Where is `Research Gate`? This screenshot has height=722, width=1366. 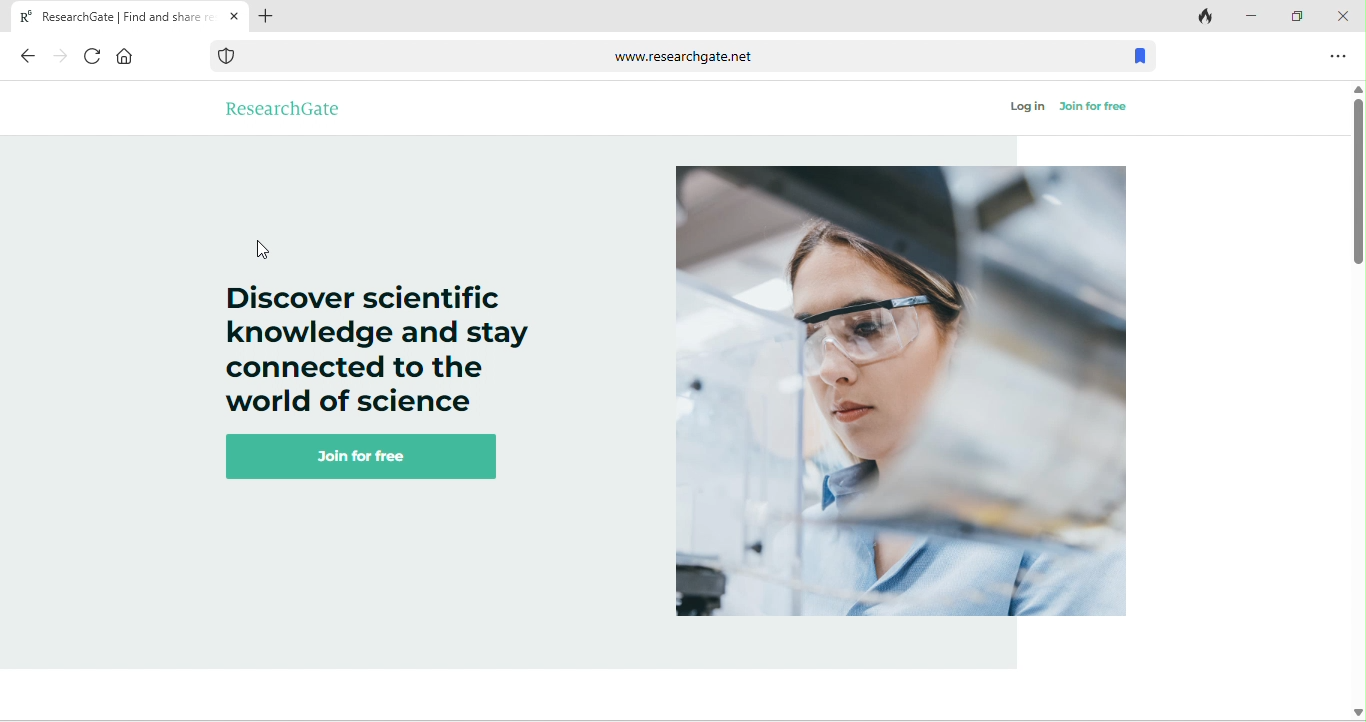
Research Gate is located at coordinates (127, 15).